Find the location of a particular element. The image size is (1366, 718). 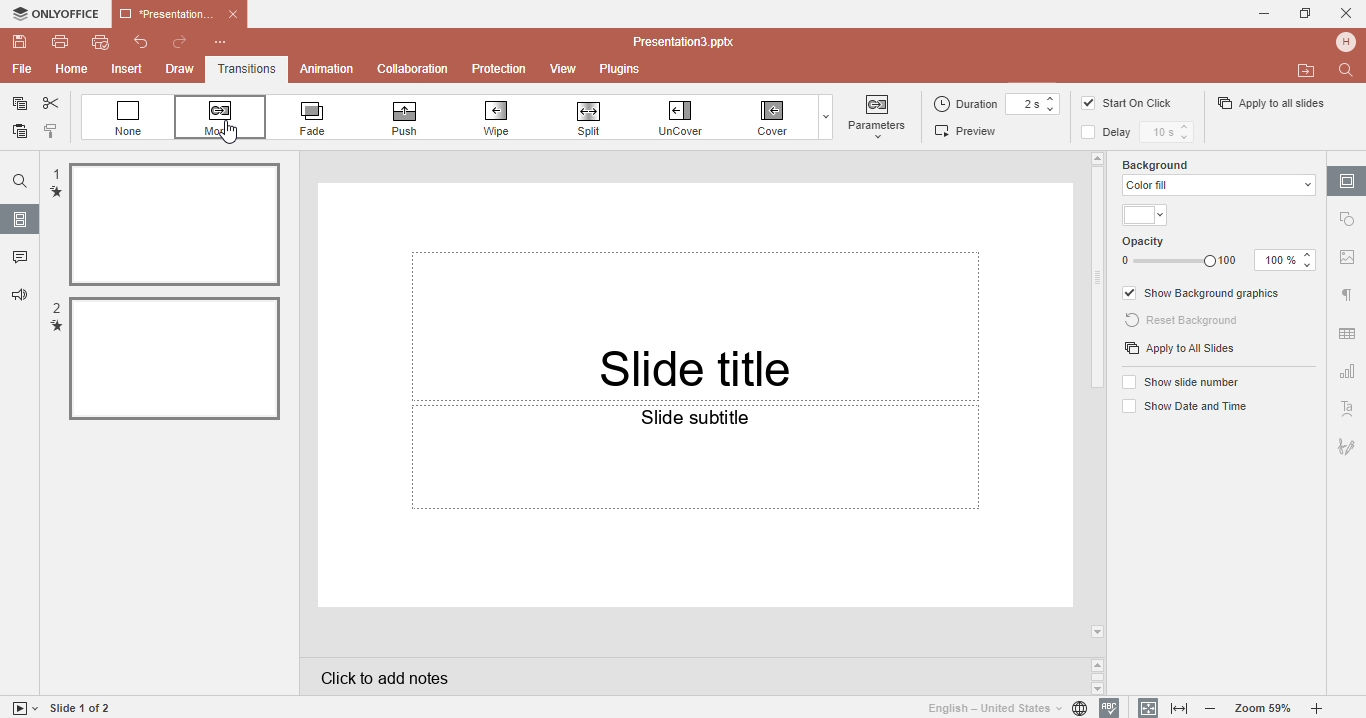

Chart setting is located at coordinates (1346, 374).